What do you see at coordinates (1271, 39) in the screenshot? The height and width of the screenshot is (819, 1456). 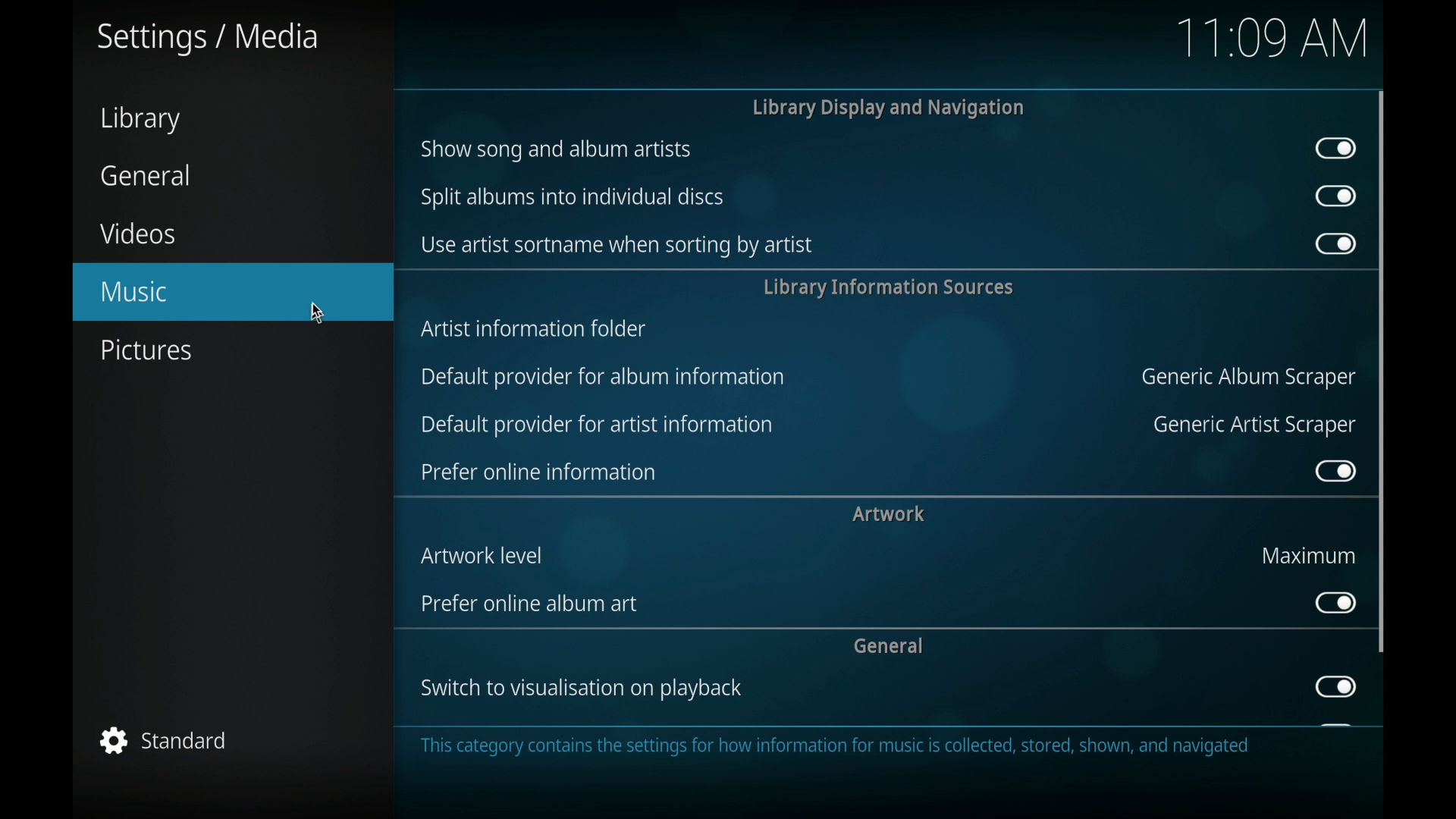 I see `time` at bounding box center [1271, 39].